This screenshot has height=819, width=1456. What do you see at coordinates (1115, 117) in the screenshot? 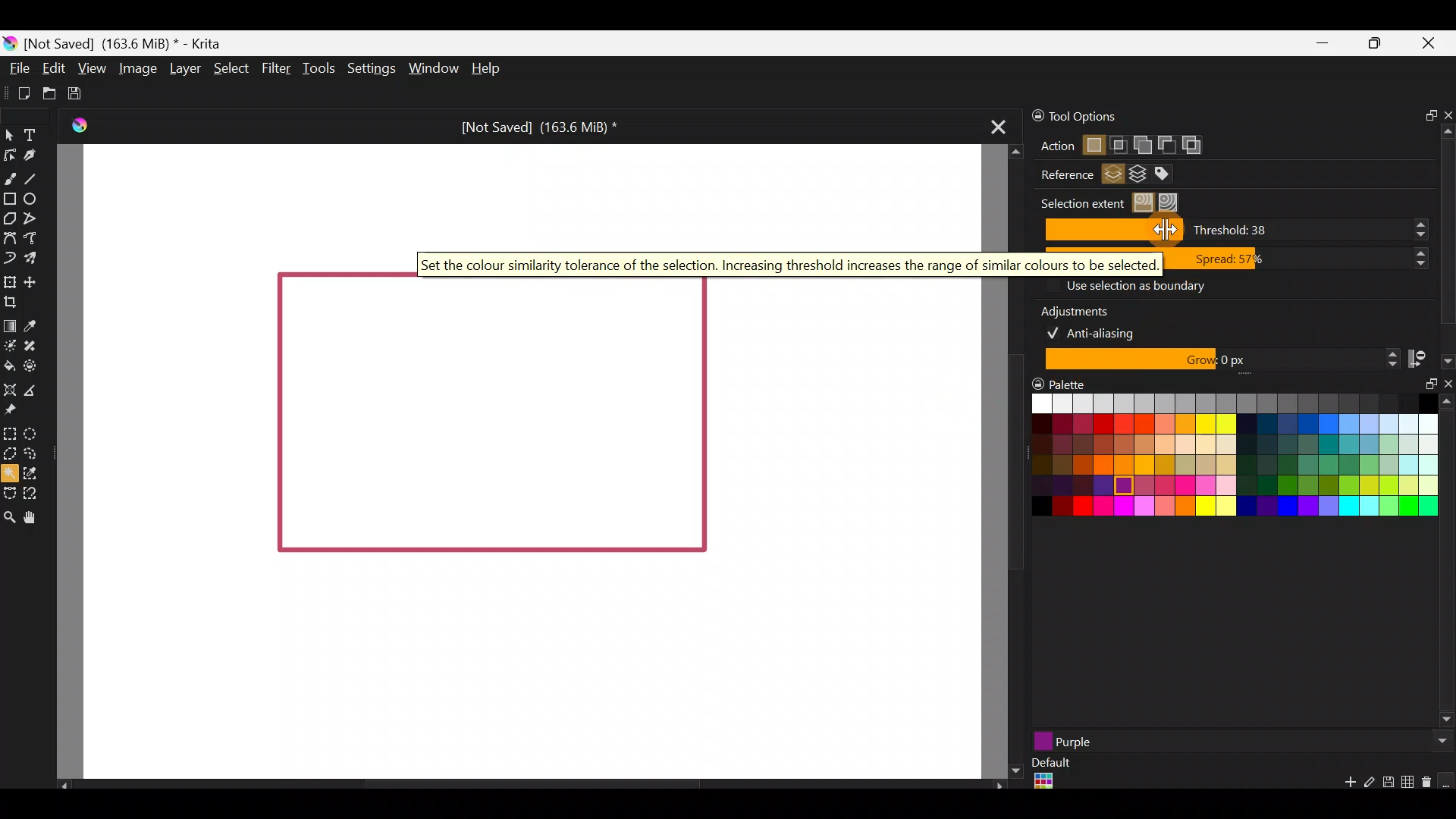
I see `Tool options` at bounding box center [1115, 117].